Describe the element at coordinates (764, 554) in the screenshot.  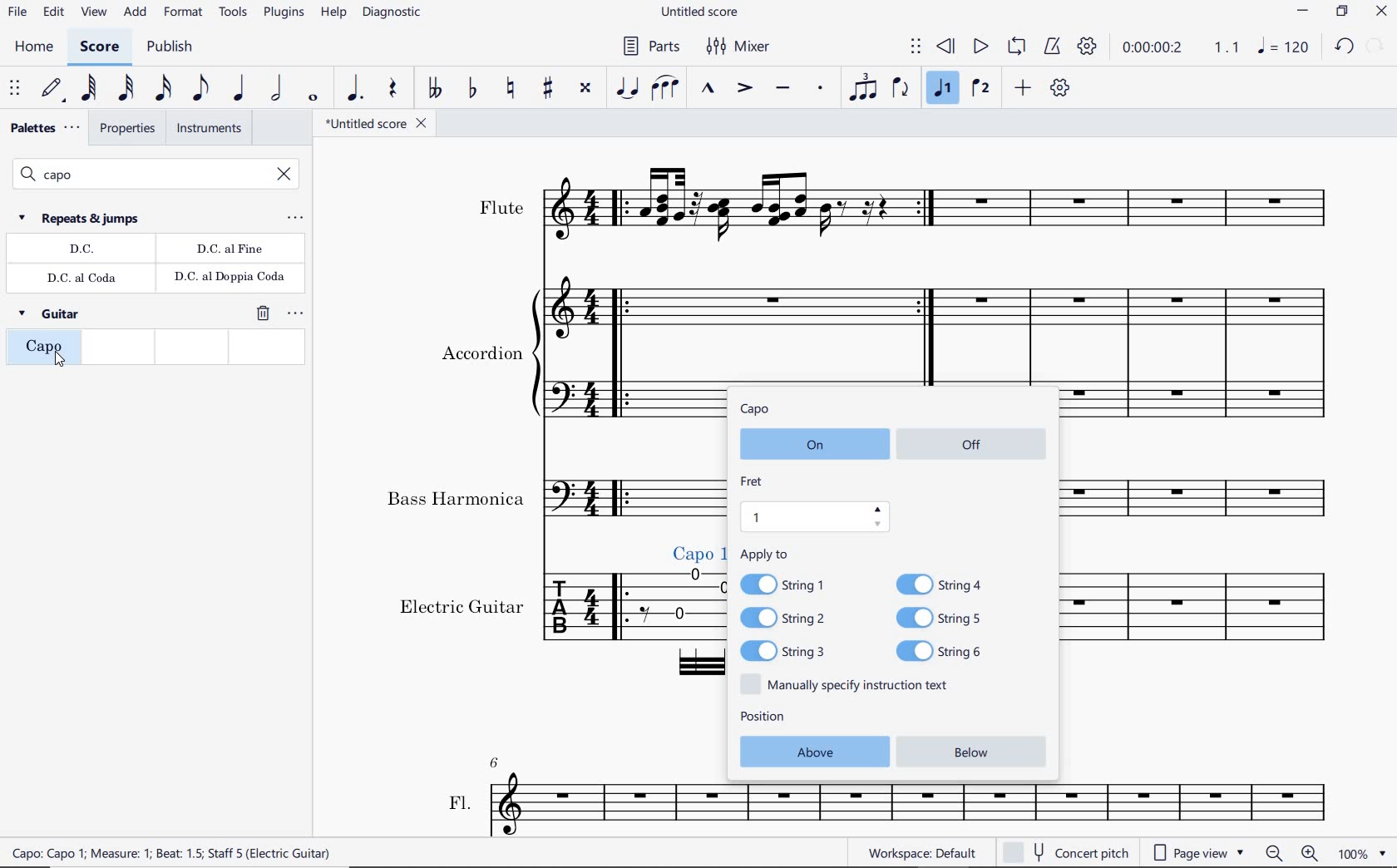
I see `Apply to` at that location.